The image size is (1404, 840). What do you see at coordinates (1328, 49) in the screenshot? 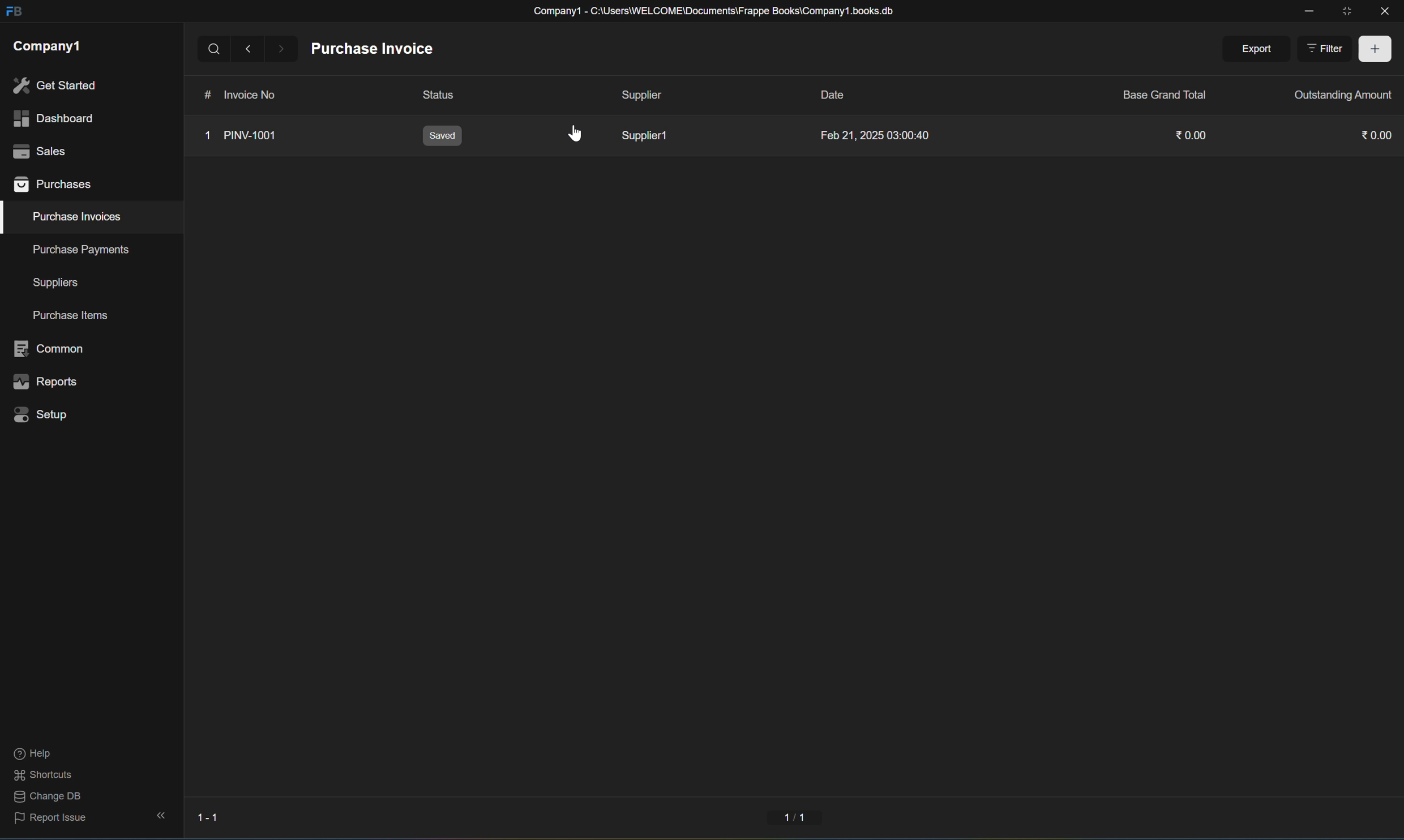
I see `filter` at bounding box center [1328, 49].